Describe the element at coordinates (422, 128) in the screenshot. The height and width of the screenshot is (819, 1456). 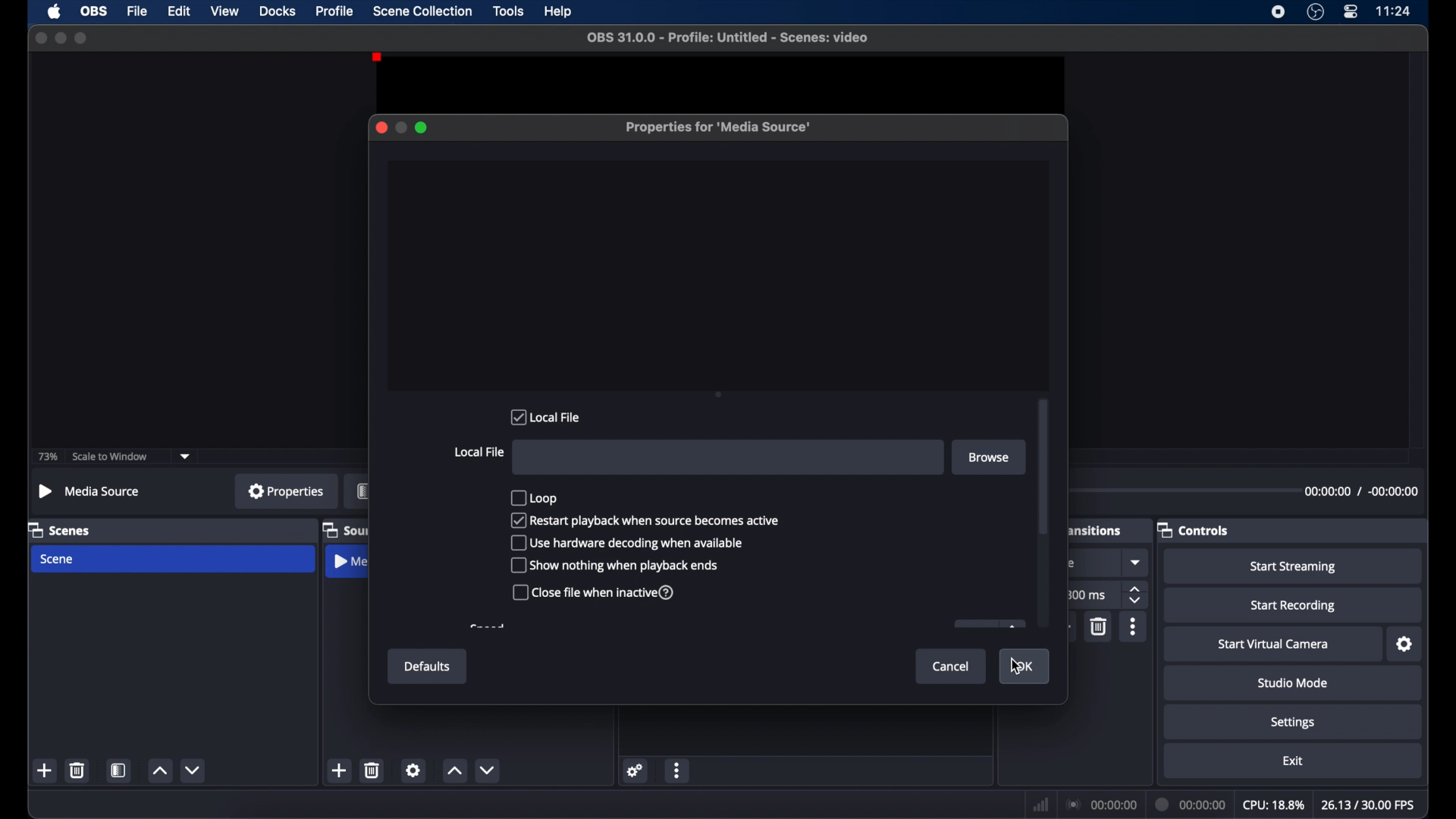
I see `maximize` at that location.